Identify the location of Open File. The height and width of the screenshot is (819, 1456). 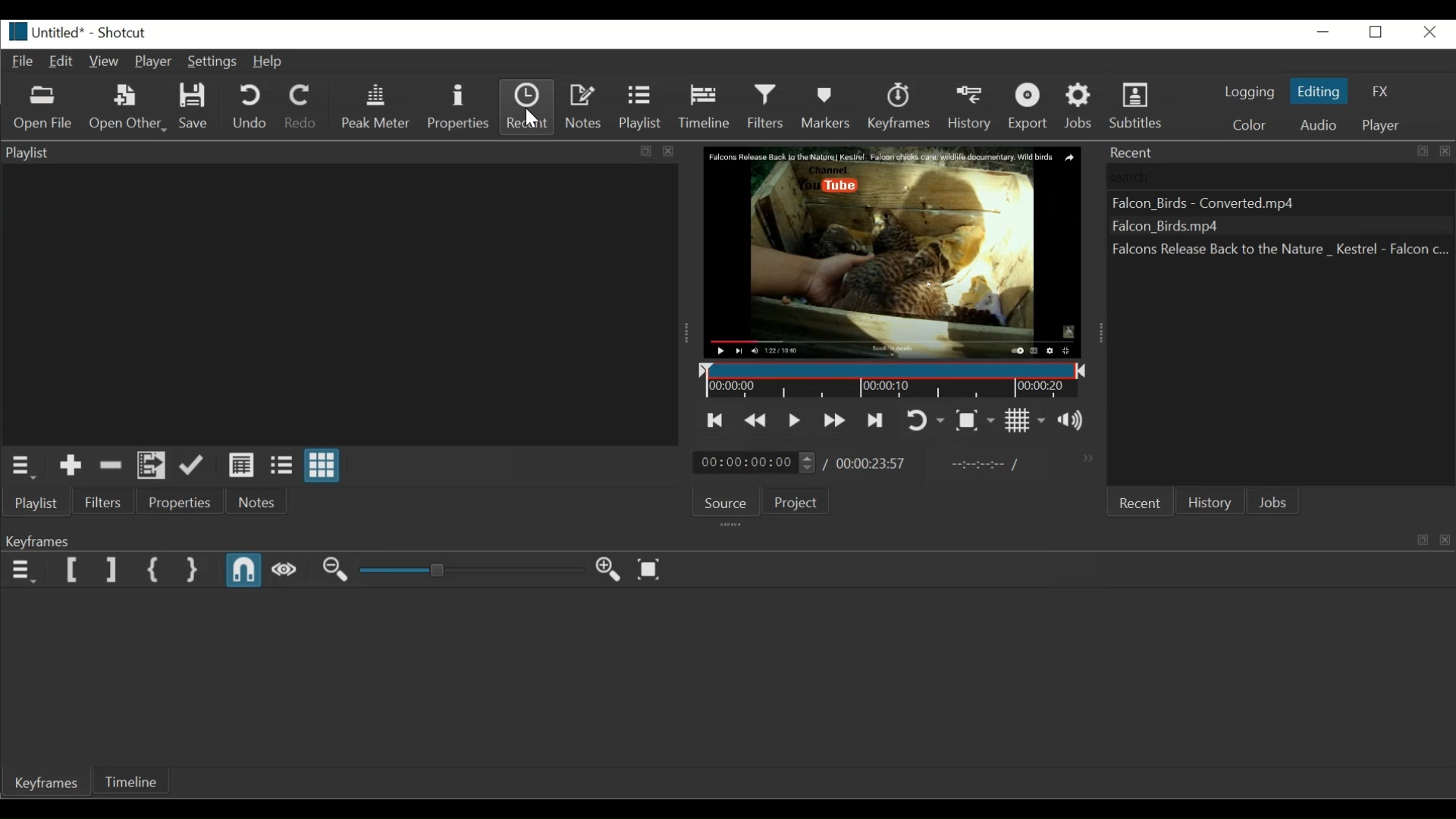
(44, 108).